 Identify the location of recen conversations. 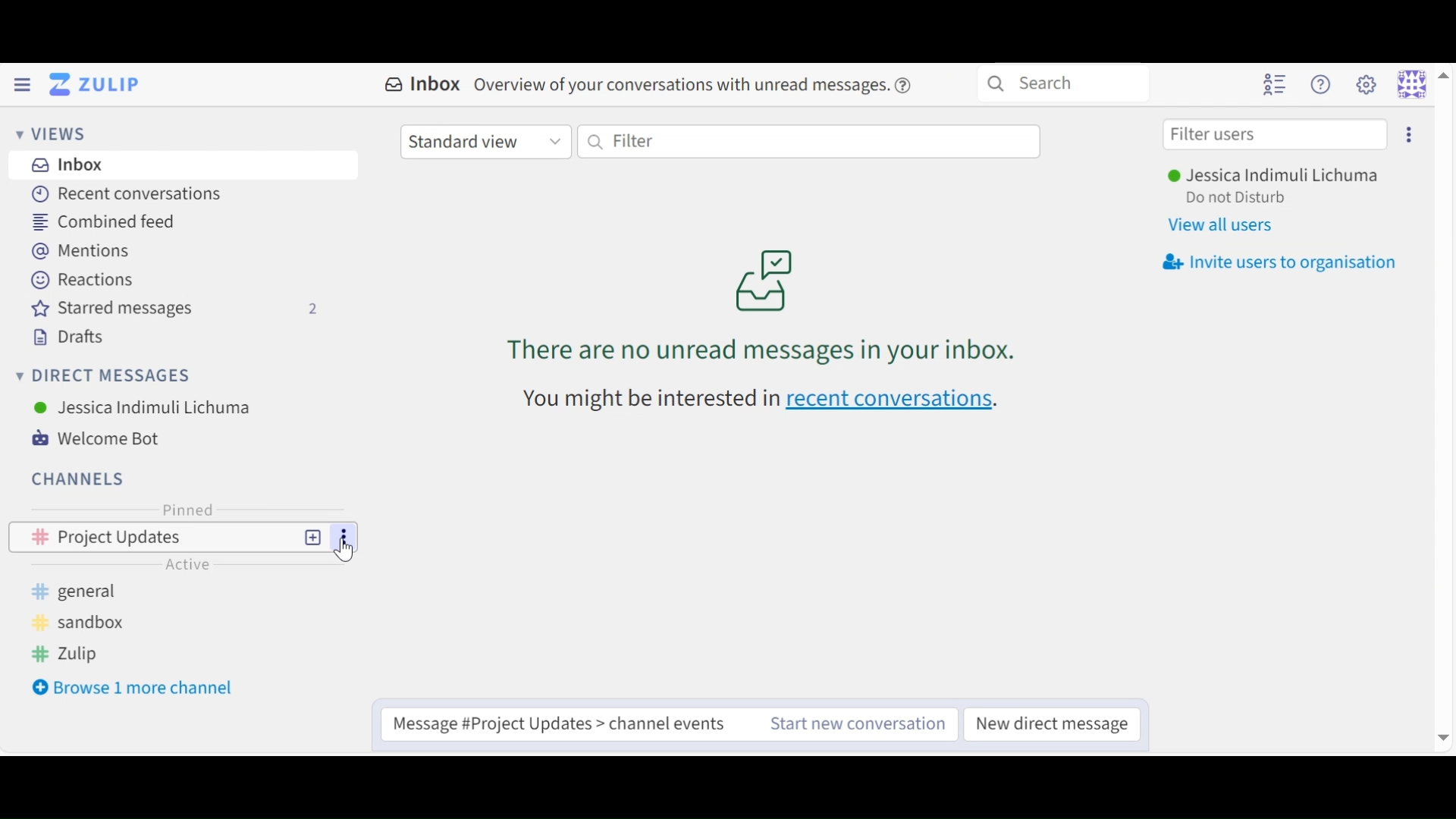
(781, 400).